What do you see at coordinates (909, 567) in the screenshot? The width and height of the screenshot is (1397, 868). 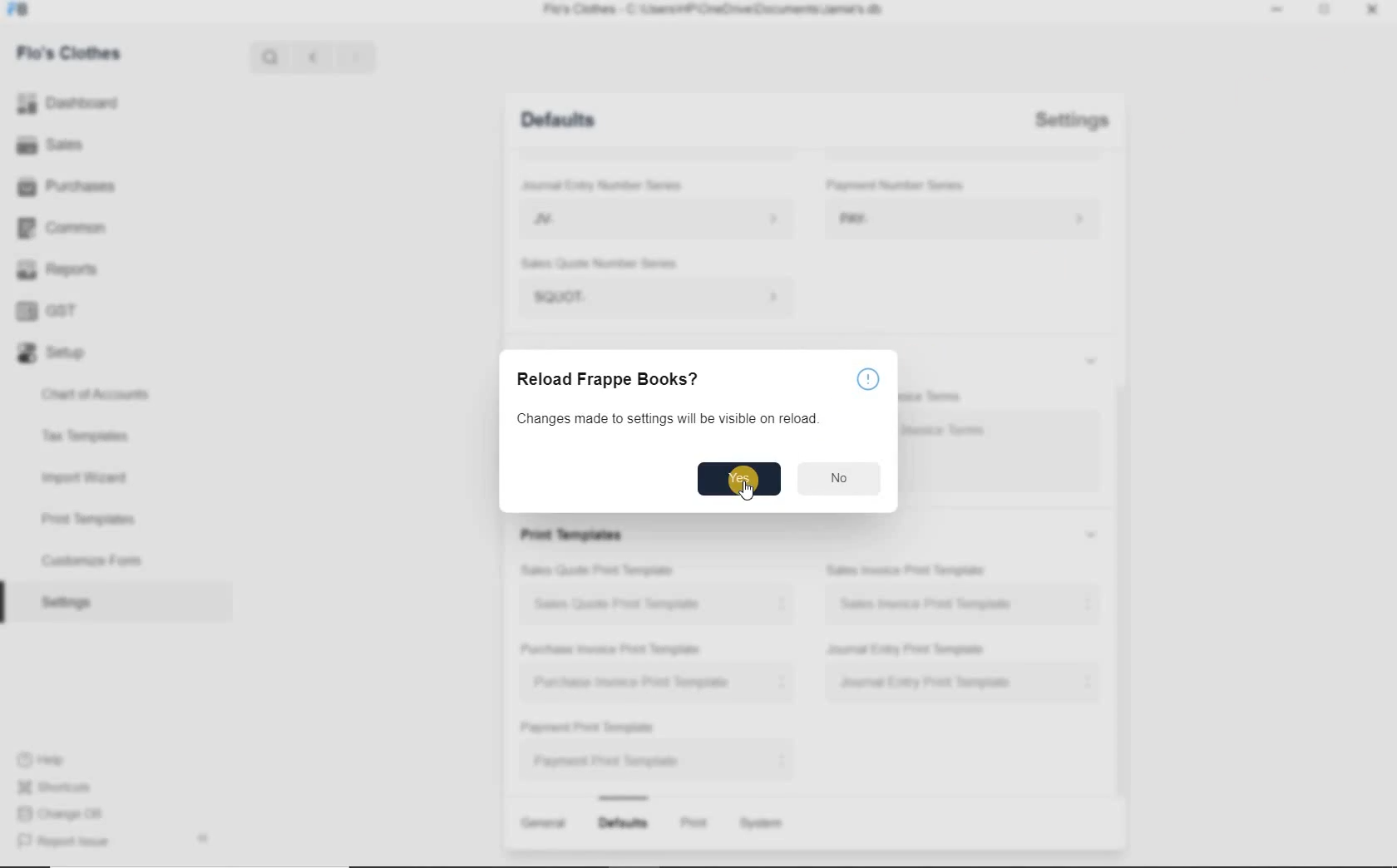 I see `Sales Invoice Print Template` at bounding box center [909, 567].